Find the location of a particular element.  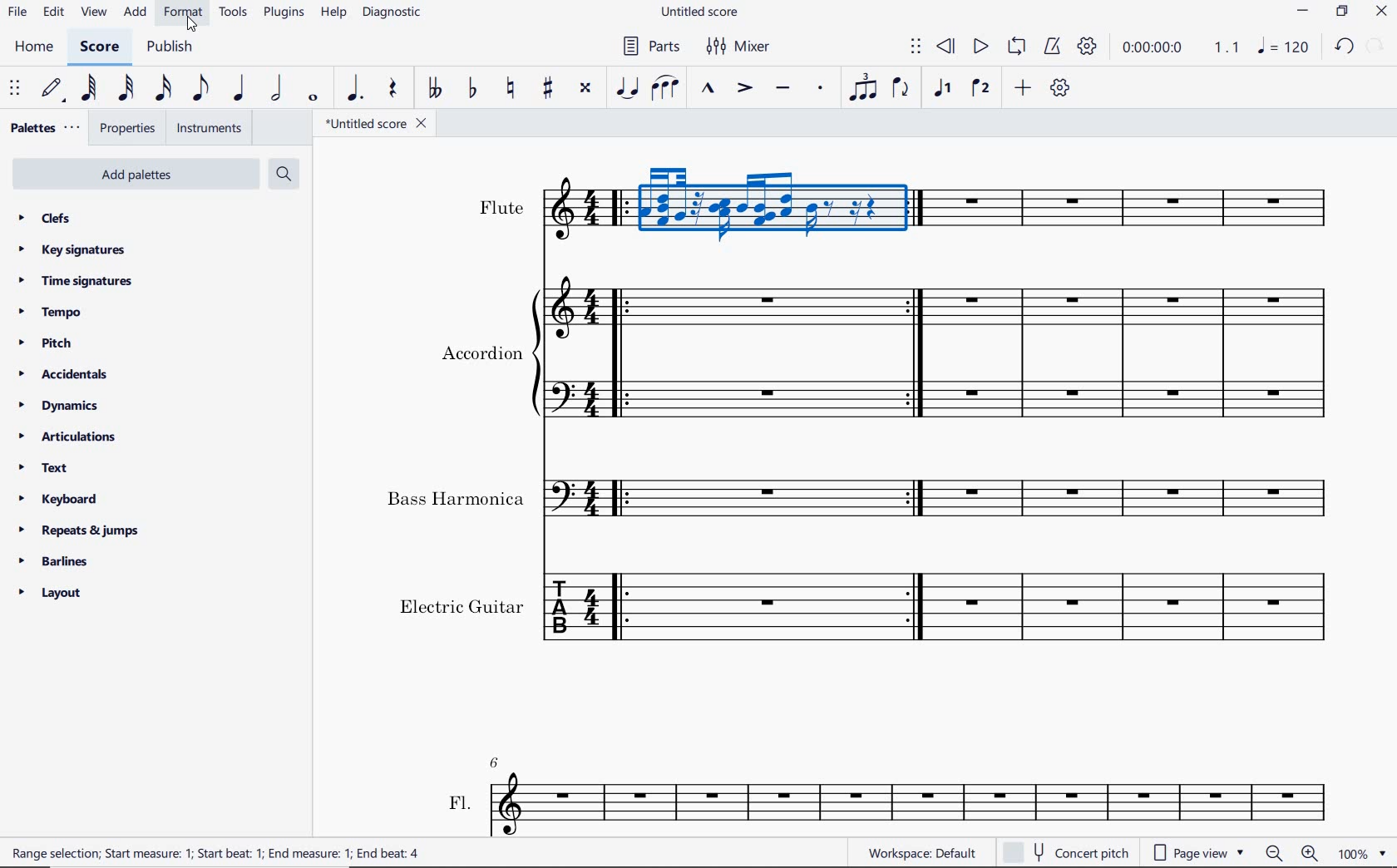

search palettes is located at coordinates (285, 175).